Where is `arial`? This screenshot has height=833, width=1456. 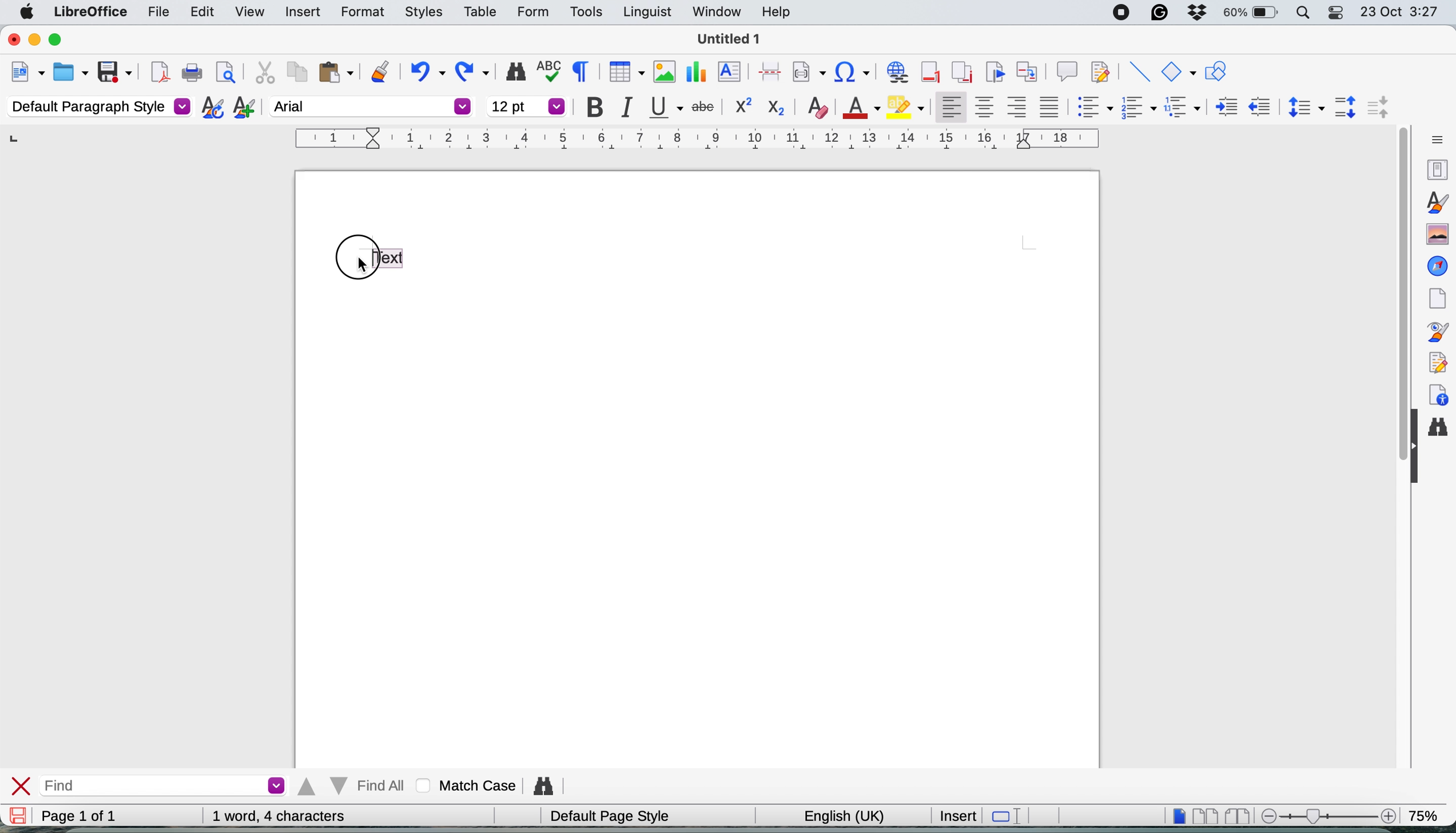 arial is located at coordinates (372, 106).